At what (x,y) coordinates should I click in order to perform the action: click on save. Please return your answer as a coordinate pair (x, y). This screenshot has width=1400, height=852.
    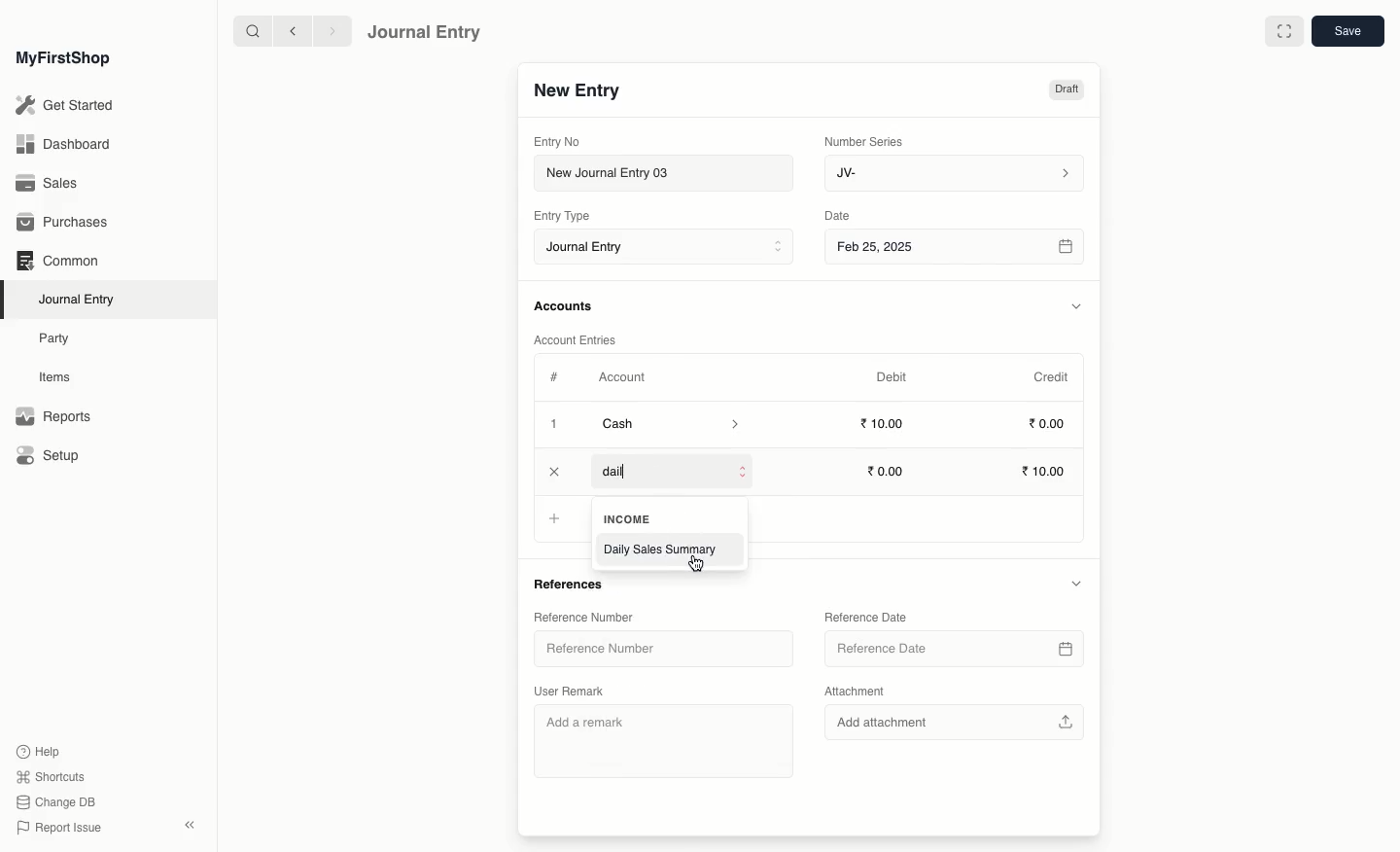
    Looking at the image, I should click on (1347, 32).